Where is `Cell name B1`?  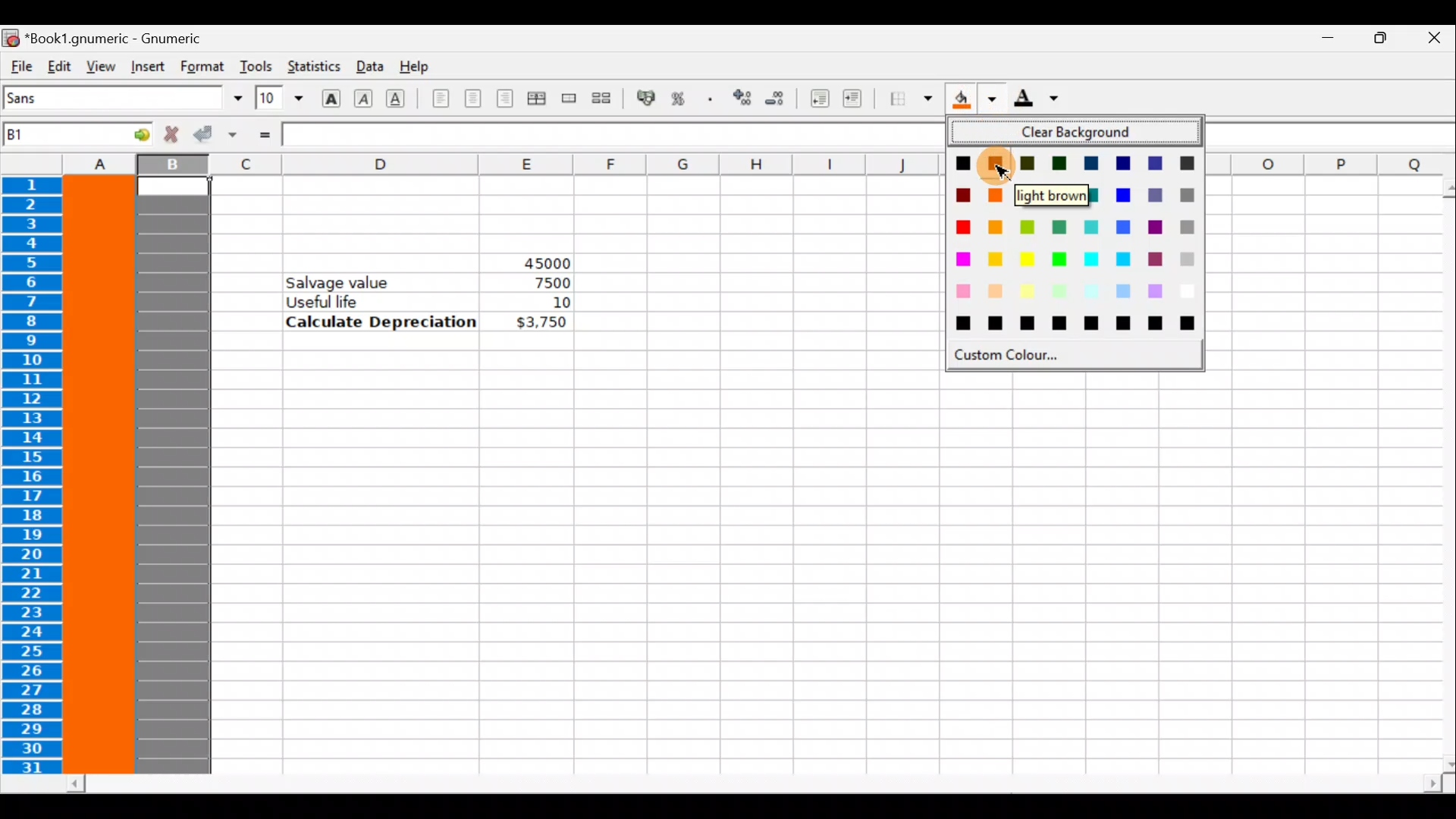 Cell name B1 is located at coordinates (54, 136).